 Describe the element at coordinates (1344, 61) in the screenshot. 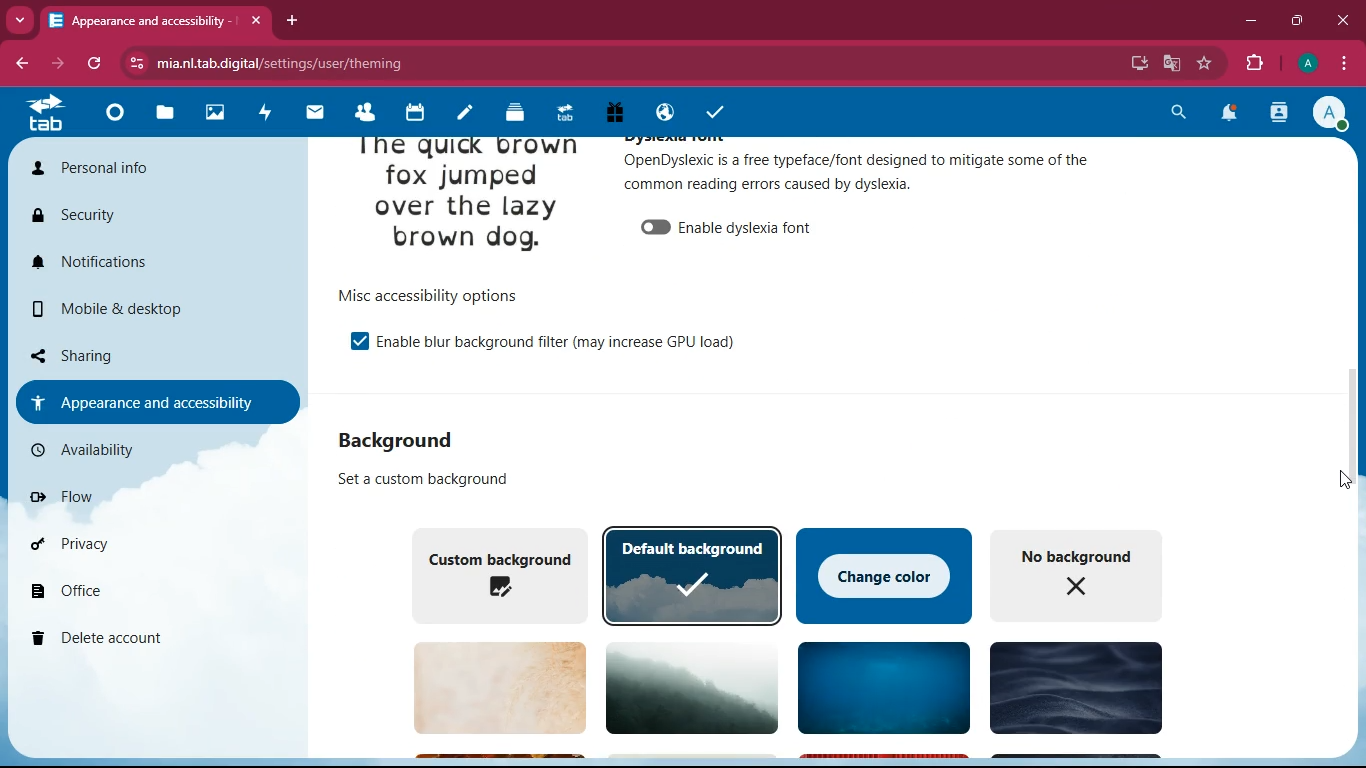

I see `menu` at that location.